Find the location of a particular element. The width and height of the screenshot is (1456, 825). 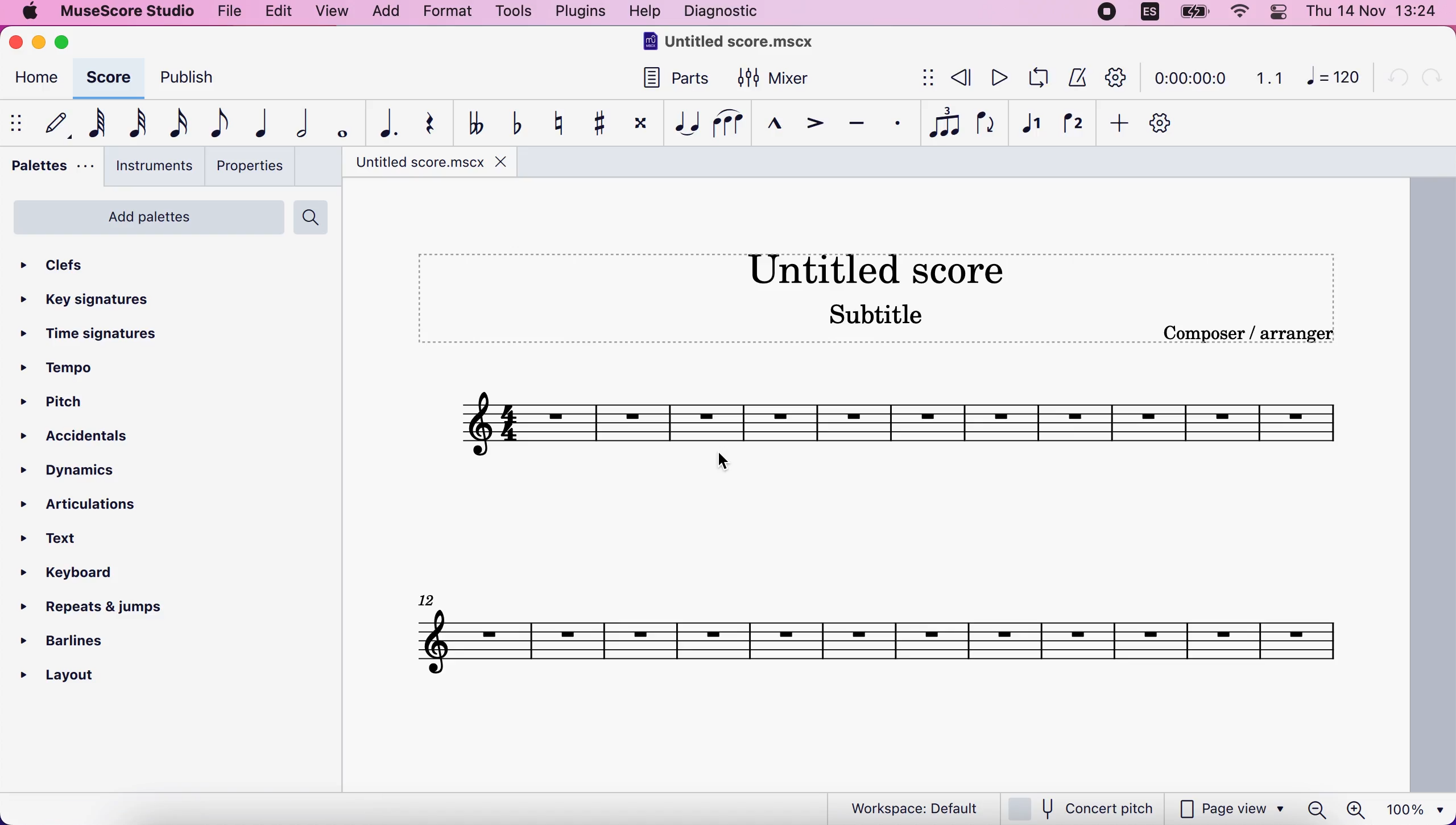

32nd note is located at coordinates (134, 125).